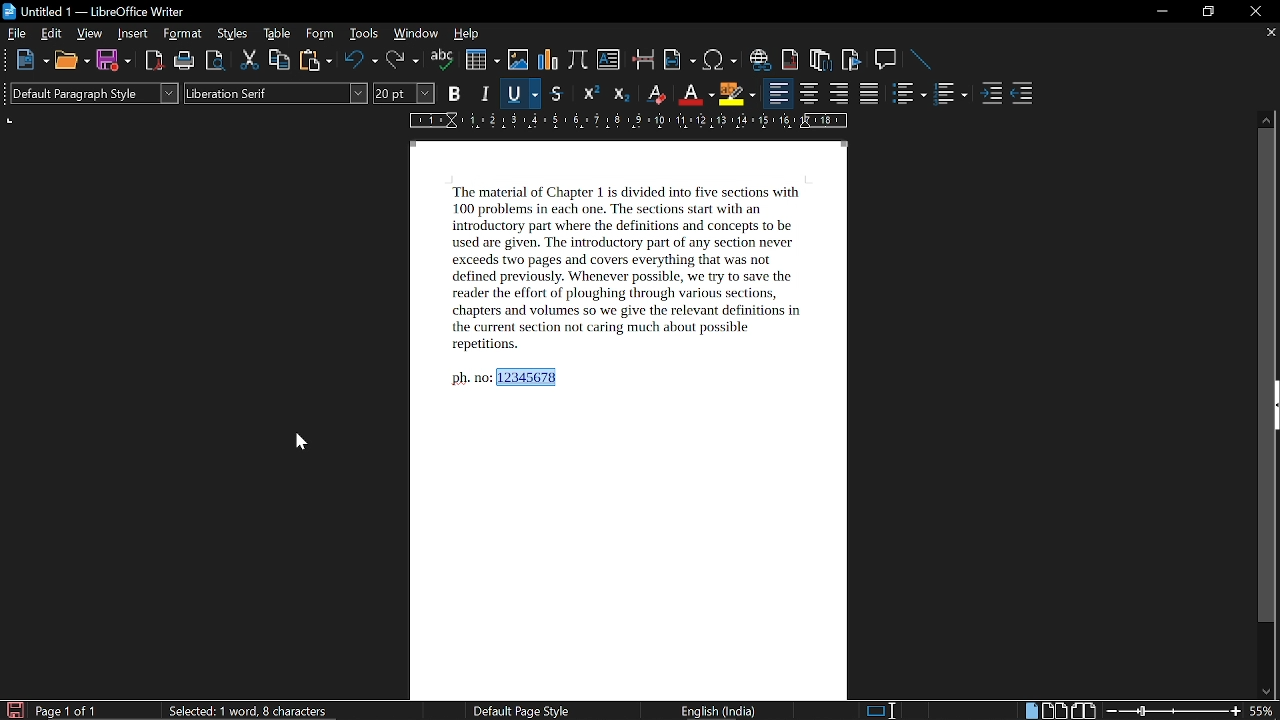  What do you see at coordinates (96, 11) in the screenshot?
I see `Untitled 1 - LibreOffice Writer` at bounding box center [96, 11].